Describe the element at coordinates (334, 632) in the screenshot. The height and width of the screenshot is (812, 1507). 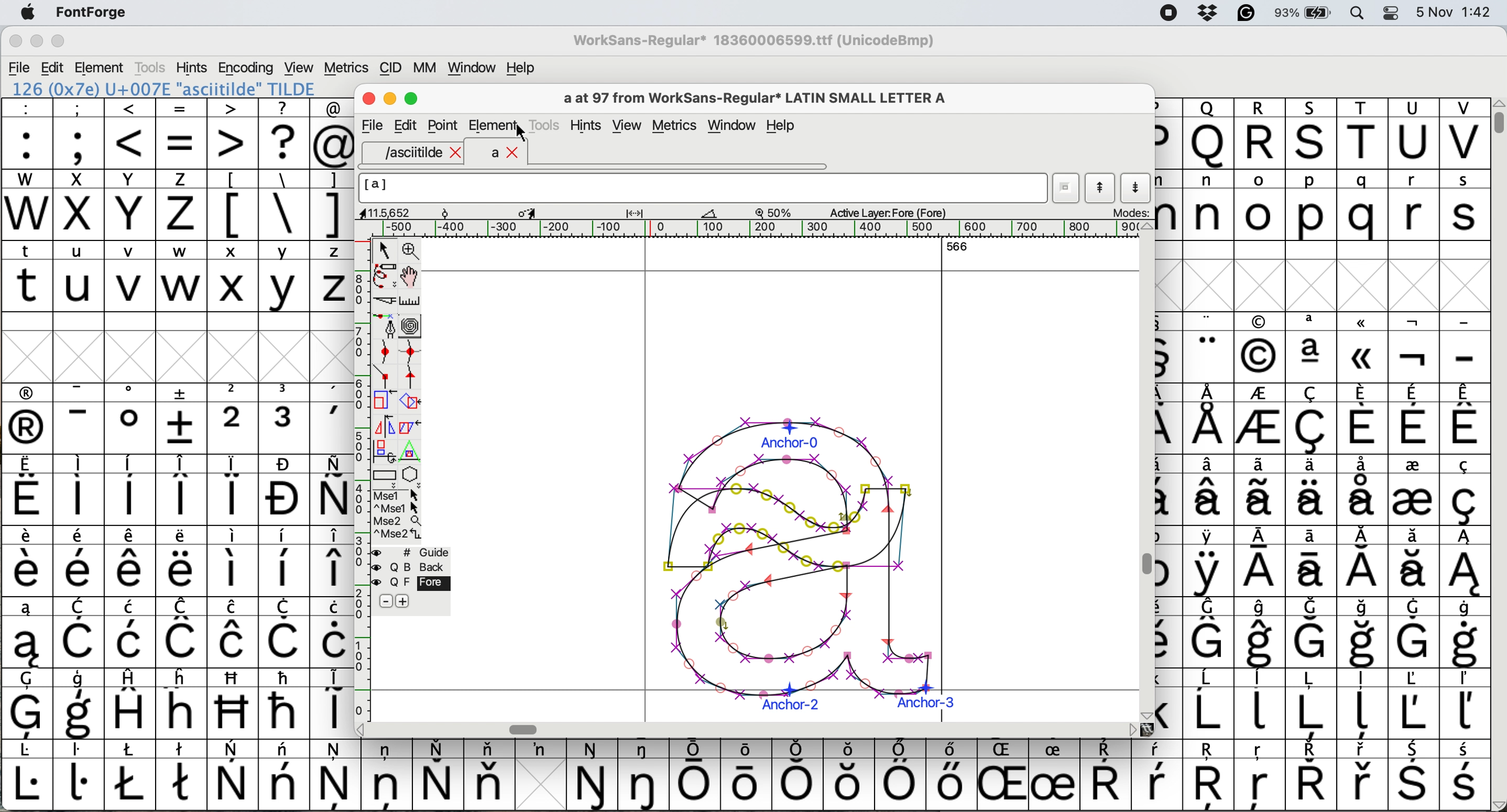
I see `symbol` at that location.